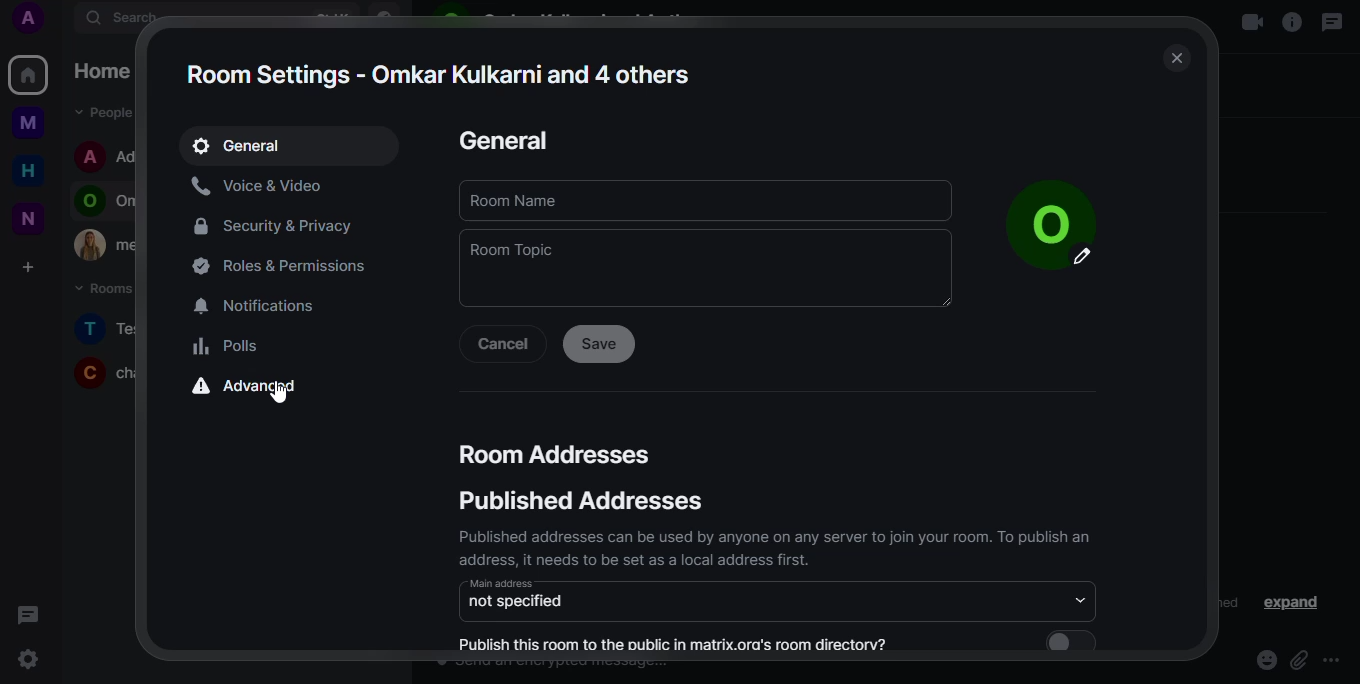 The image size is (1360, 684). What do you see at coordinates (558, 454) in the screenshot?
I see `room addresses` at bounding box center [558, 454].